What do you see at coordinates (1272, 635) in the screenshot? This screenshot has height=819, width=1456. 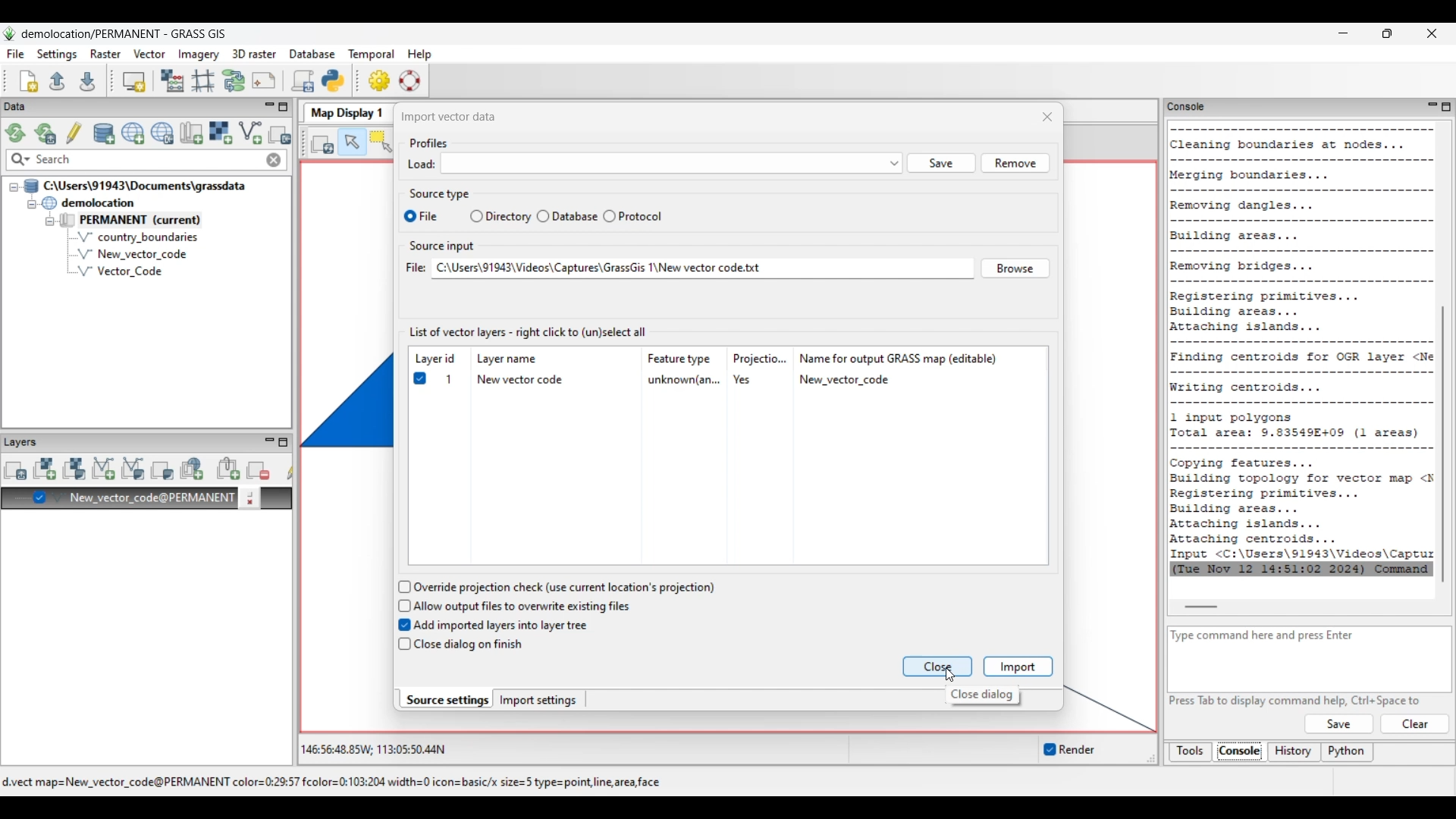 I see `Type command here and press Enter` at bounding box center [1272, 635].